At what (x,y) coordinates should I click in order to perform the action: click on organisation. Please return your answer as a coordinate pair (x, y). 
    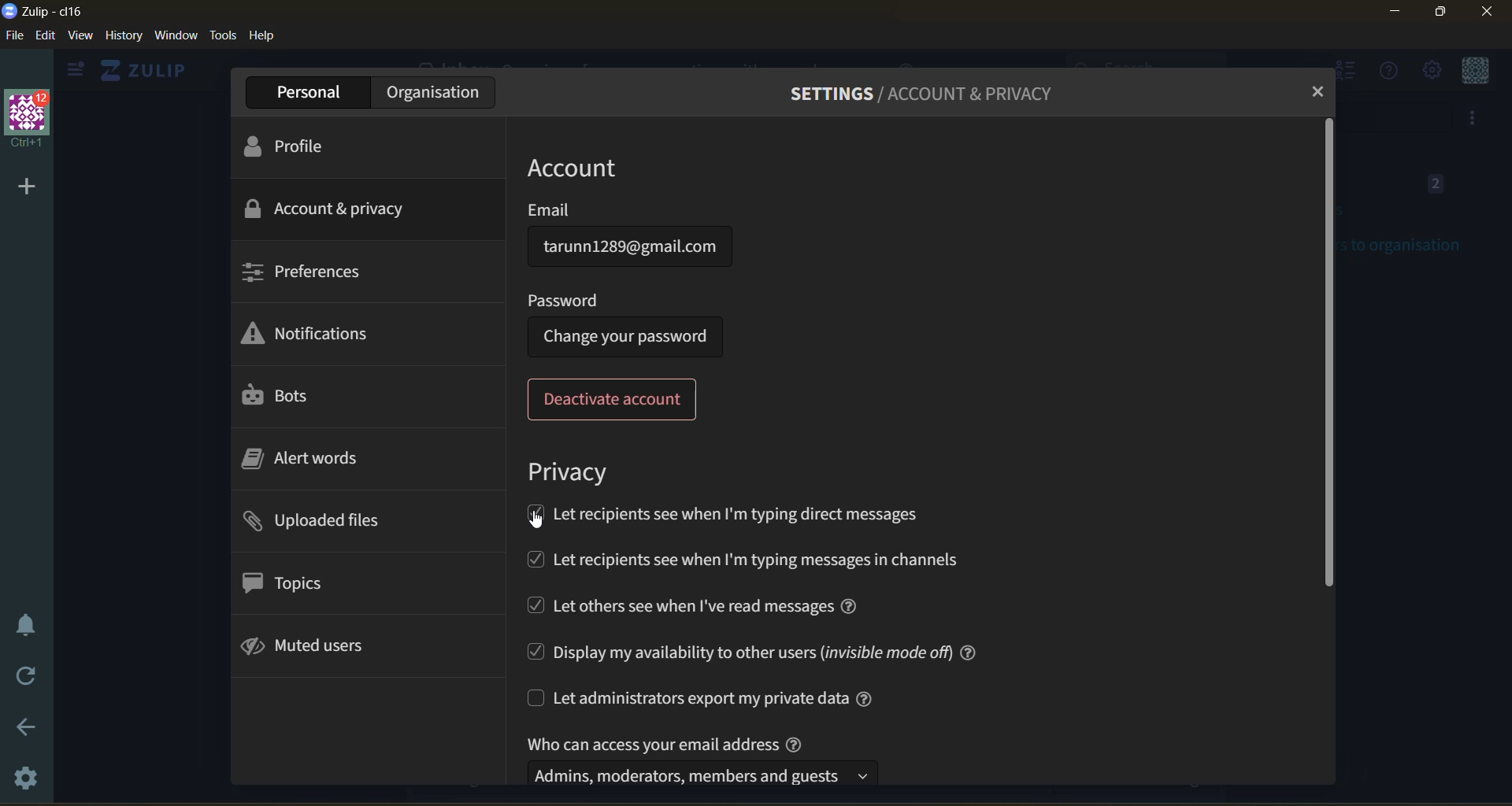
    Looking at the image, I should click on (432, 92).